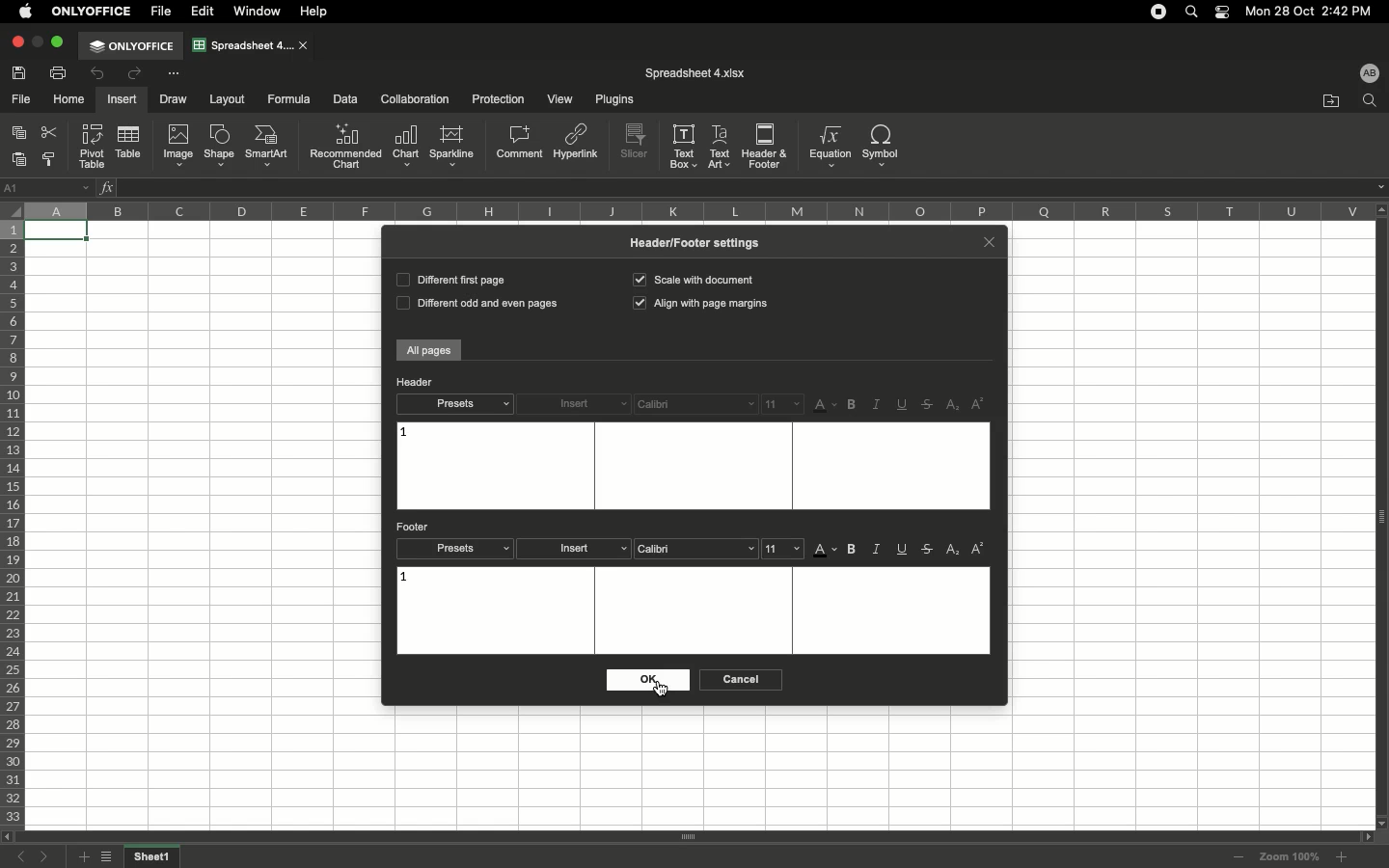 The height and width of the screenshot is (868, 1389). I want to click on Maximize, so click(60, 41).